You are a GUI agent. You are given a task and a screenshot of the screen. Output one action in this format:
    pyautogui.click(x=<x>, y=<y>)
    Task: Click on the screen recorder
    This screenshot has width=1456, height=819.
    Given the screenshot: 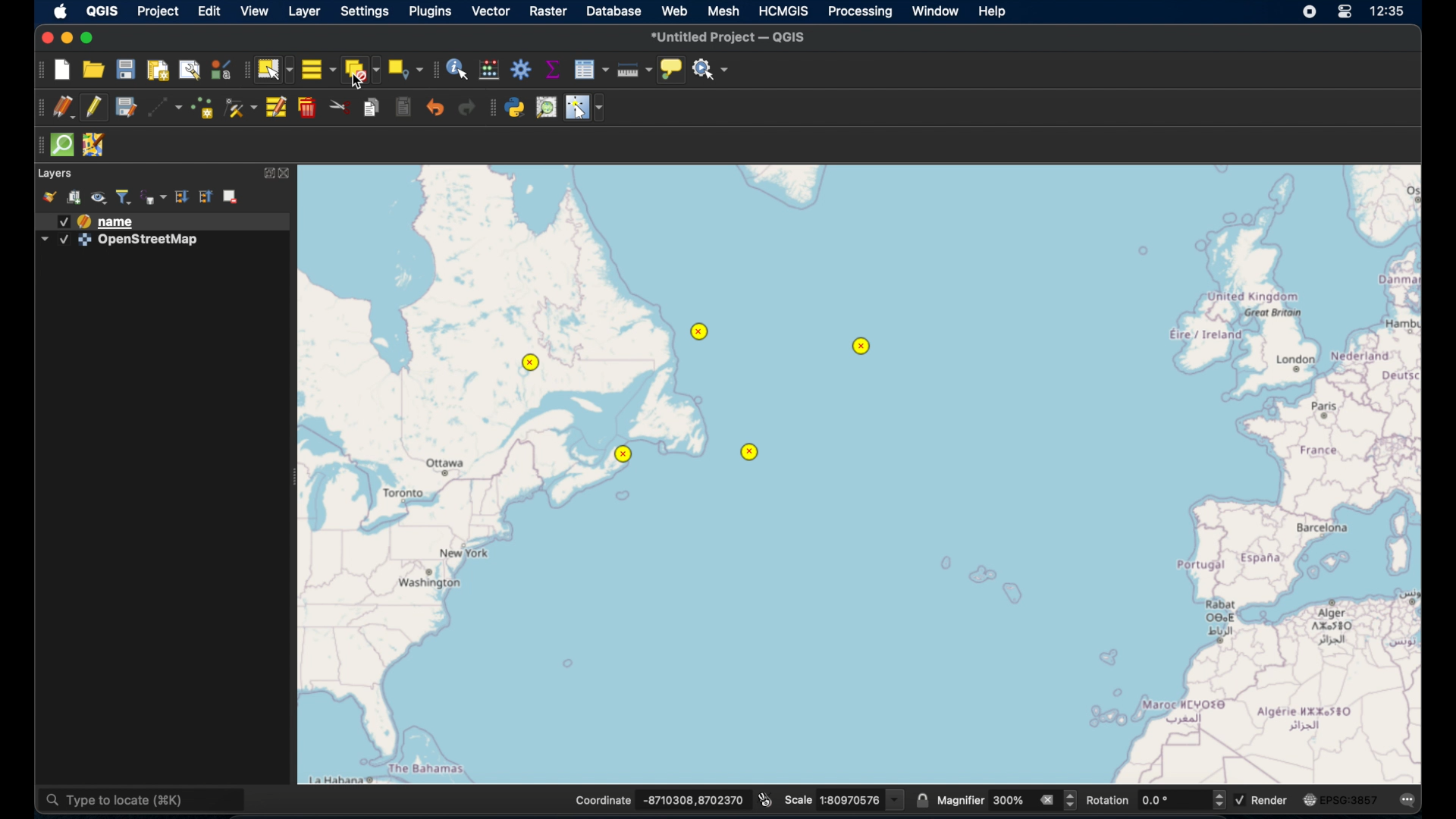 What is the action you would take?
    pyautogui.click(x=1310, y=13)
    